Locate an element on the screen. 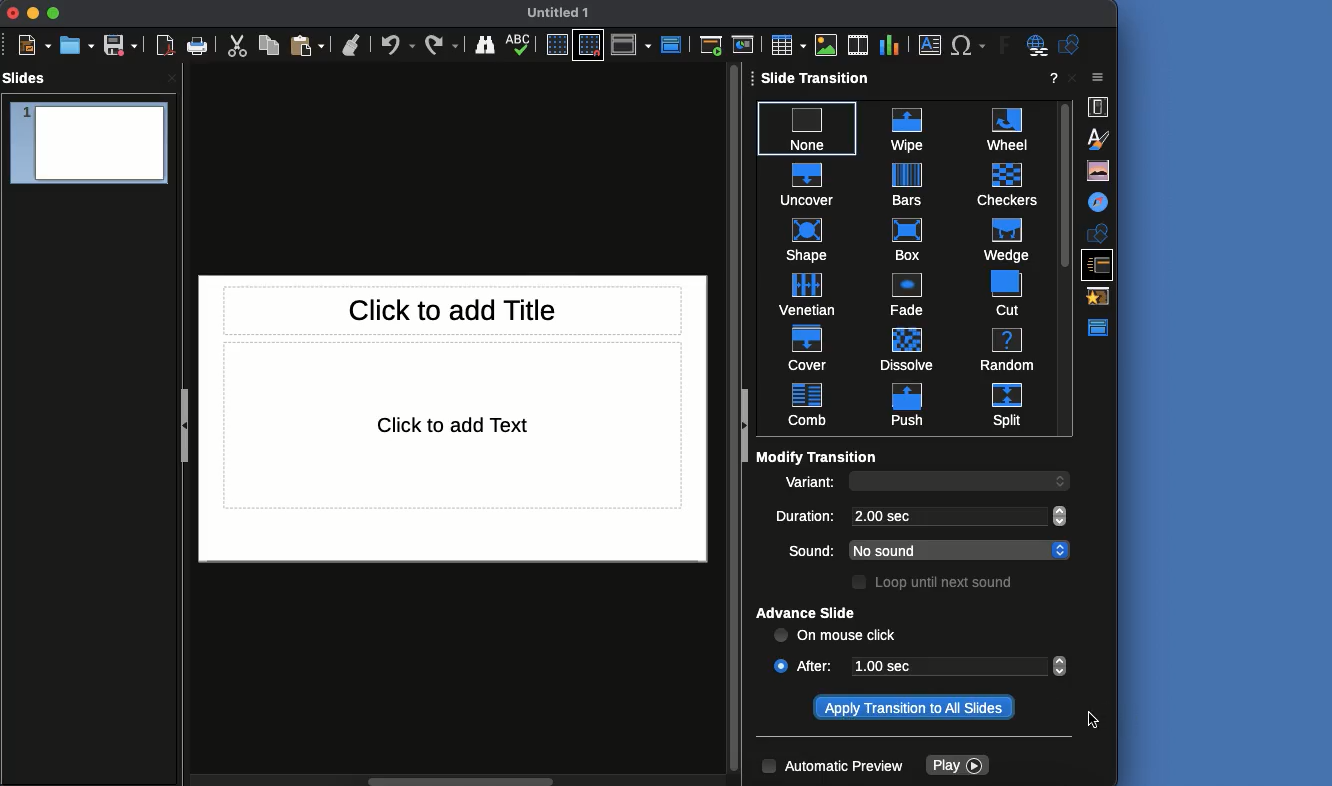 The image size is (1332, 786). Redo is located at coordinates (442, 44).